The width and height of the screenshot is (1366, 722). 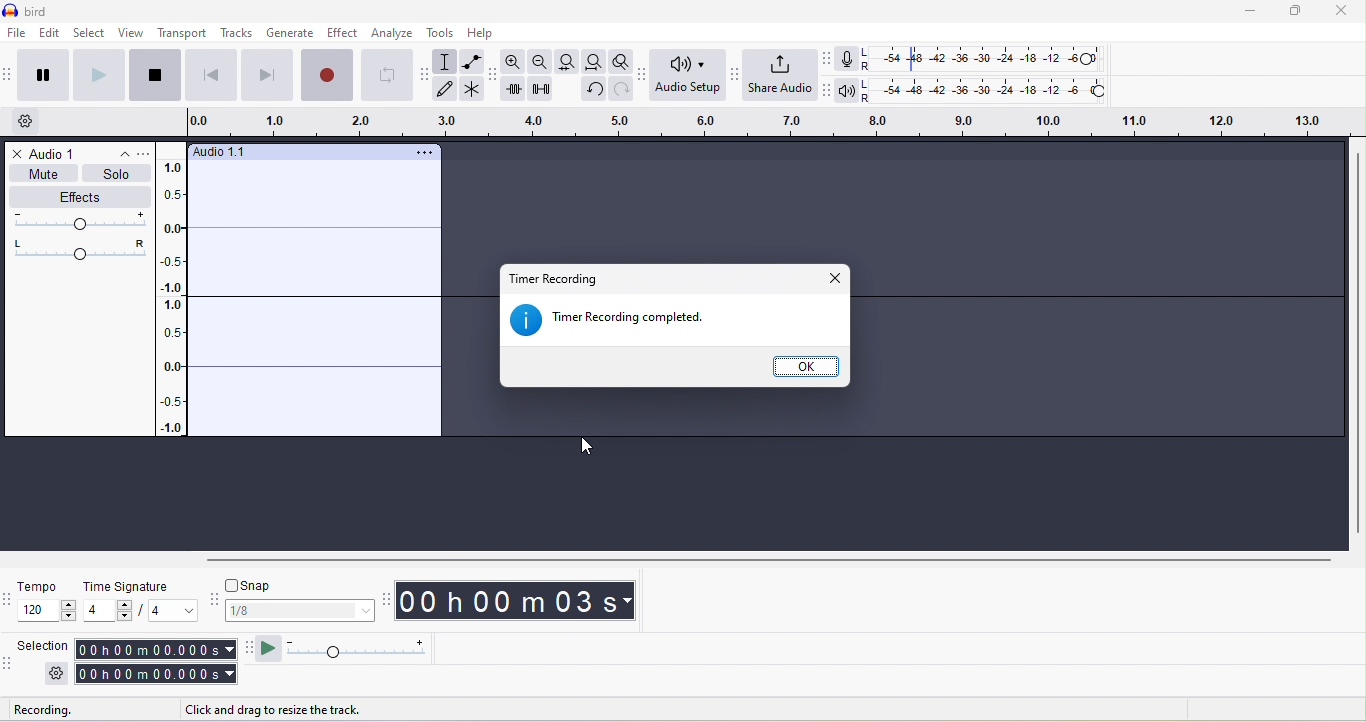 I want to click on pause, so click(x=40, y=78).